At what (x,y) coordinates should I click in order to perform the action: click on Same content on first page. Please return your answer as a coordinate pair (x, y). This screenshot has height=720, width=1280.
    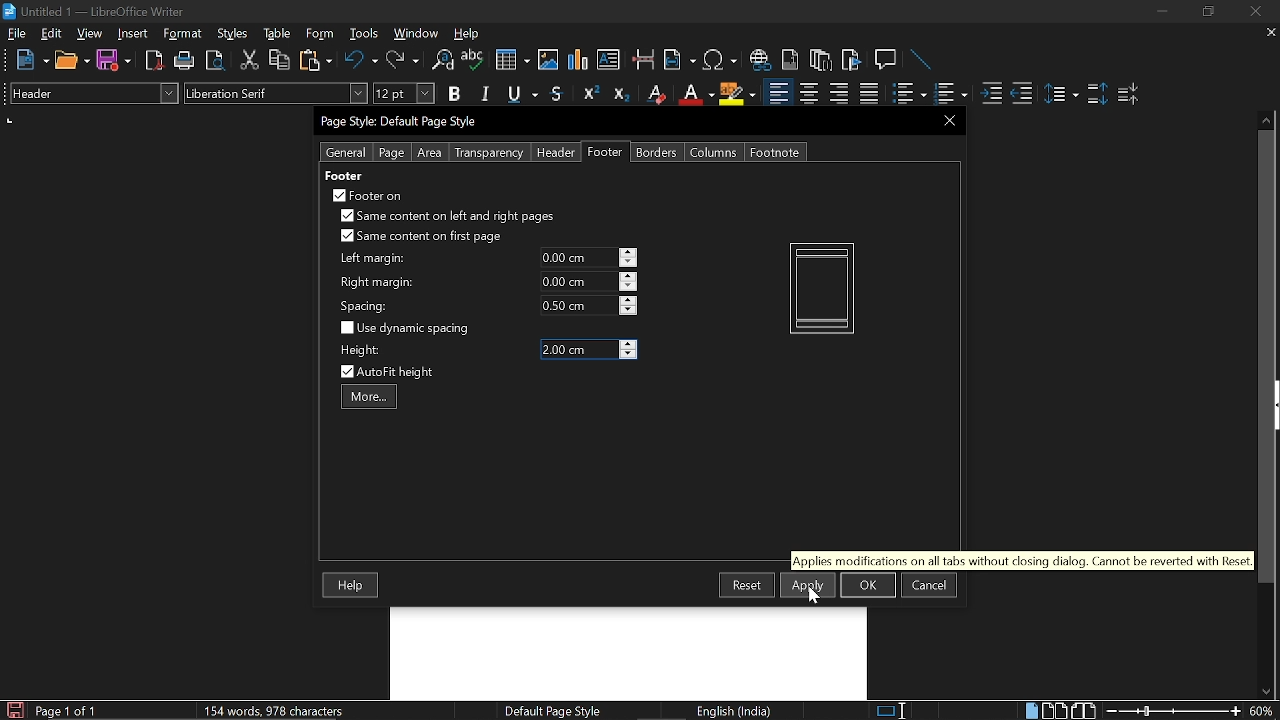
    Looking at the image, I should click on (422, 237).